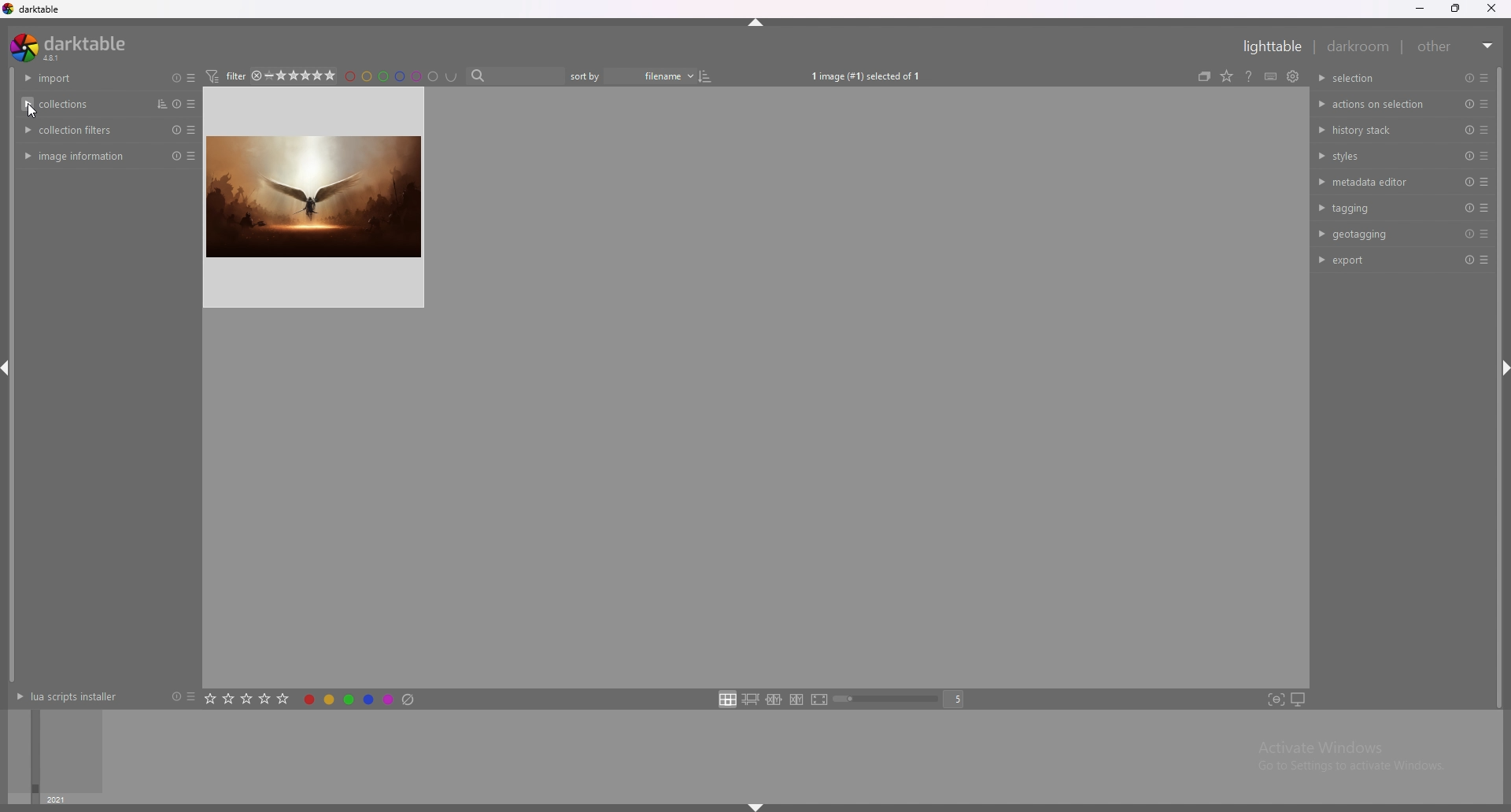 Image resolution: width=1511 pixels, height=812 pixels. What do you see at coordinates (1457, 46) in the screenshot?
I see `other` at bounding box center [1457, 46].